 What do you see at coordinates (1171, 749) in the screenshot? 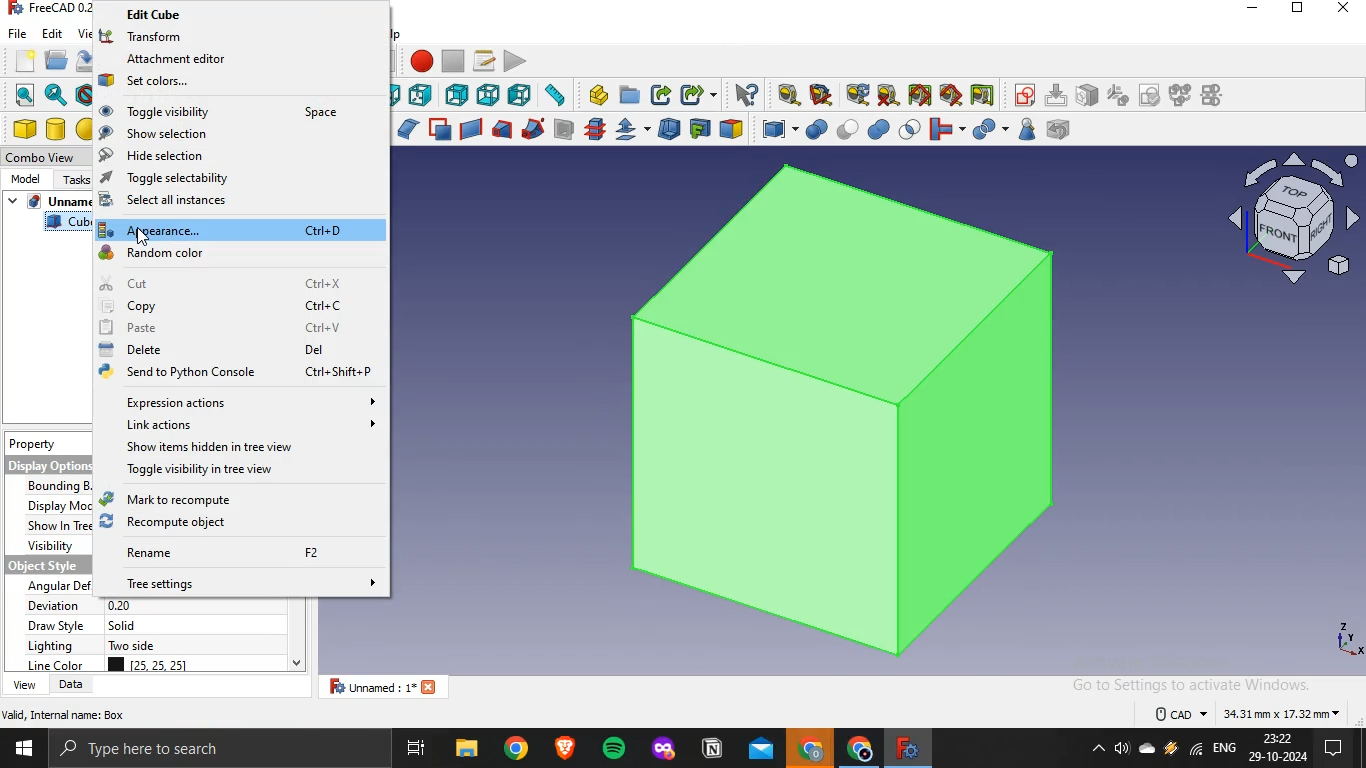
I see `winamp agent` at bounding box center [1171, 749].